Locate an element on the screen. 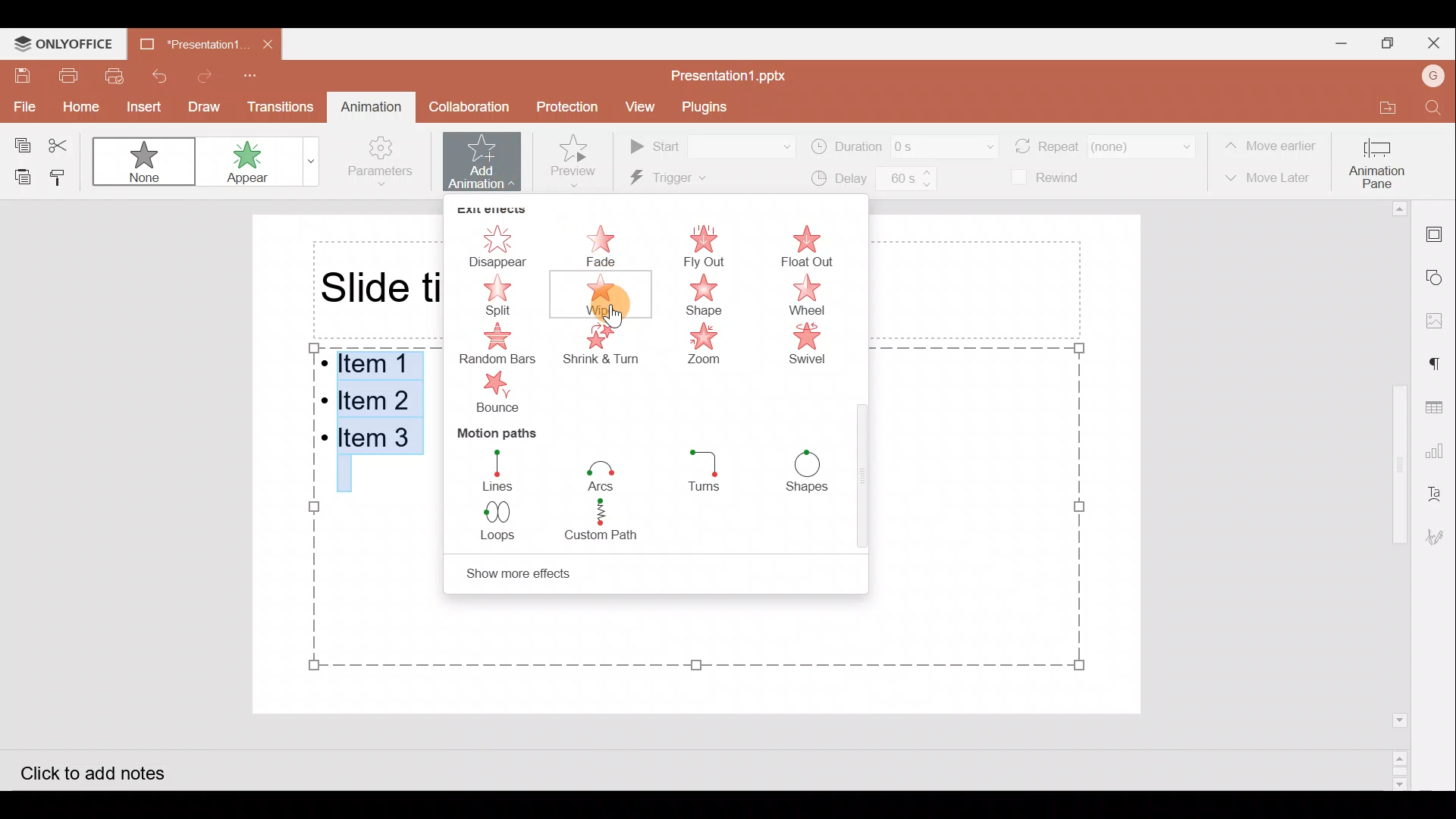 Image resolution: width=1456 pixels, height=819 pixels. Add animation is located at coordinates (487, 160).